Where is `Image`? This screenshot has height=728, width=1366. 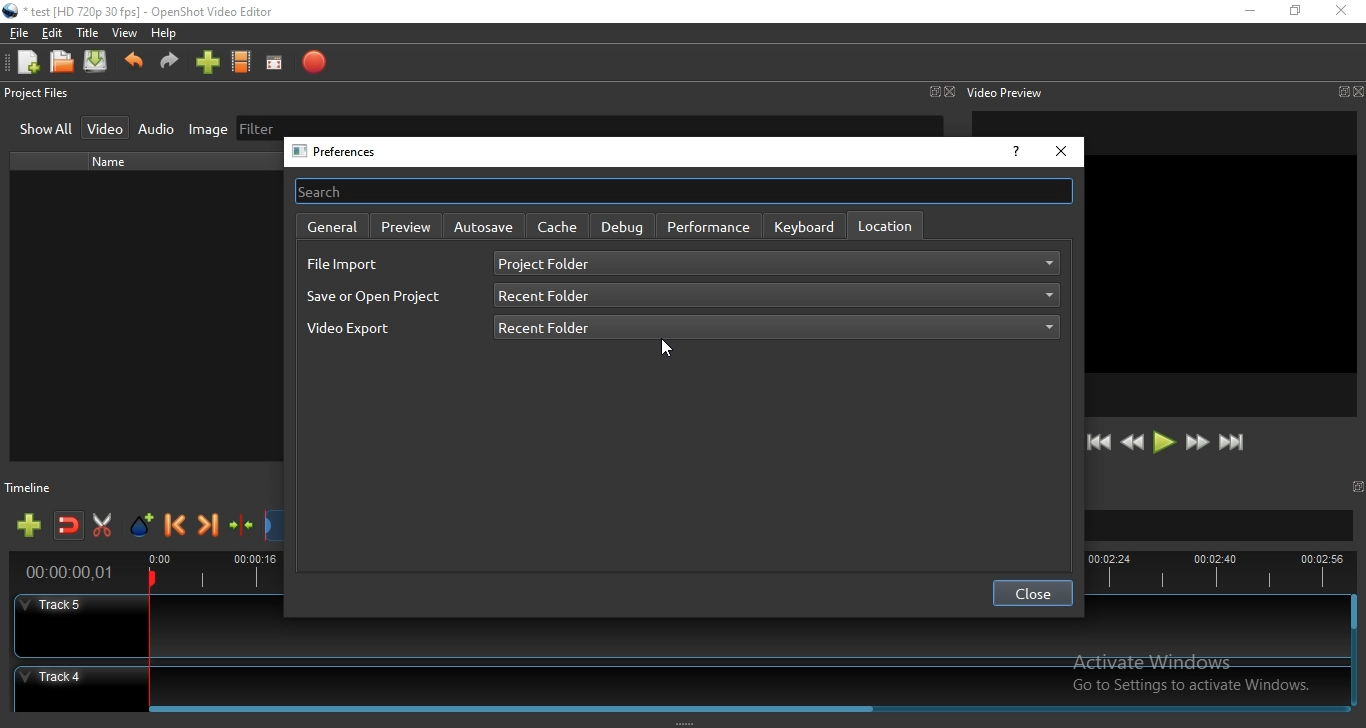
Image is located at coordinates (203, 130).